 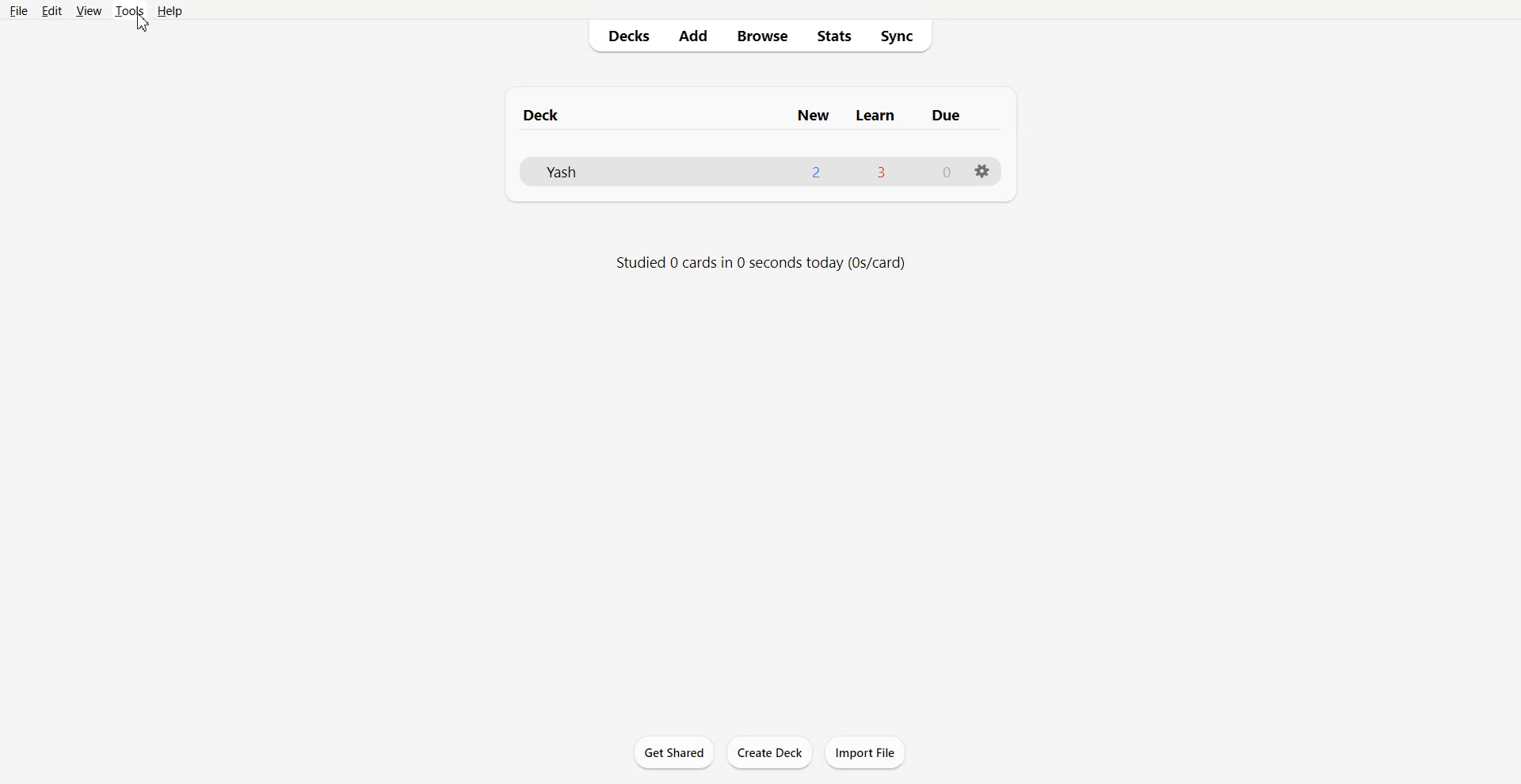 I want to click on Stats, so click(x=834, y=36).